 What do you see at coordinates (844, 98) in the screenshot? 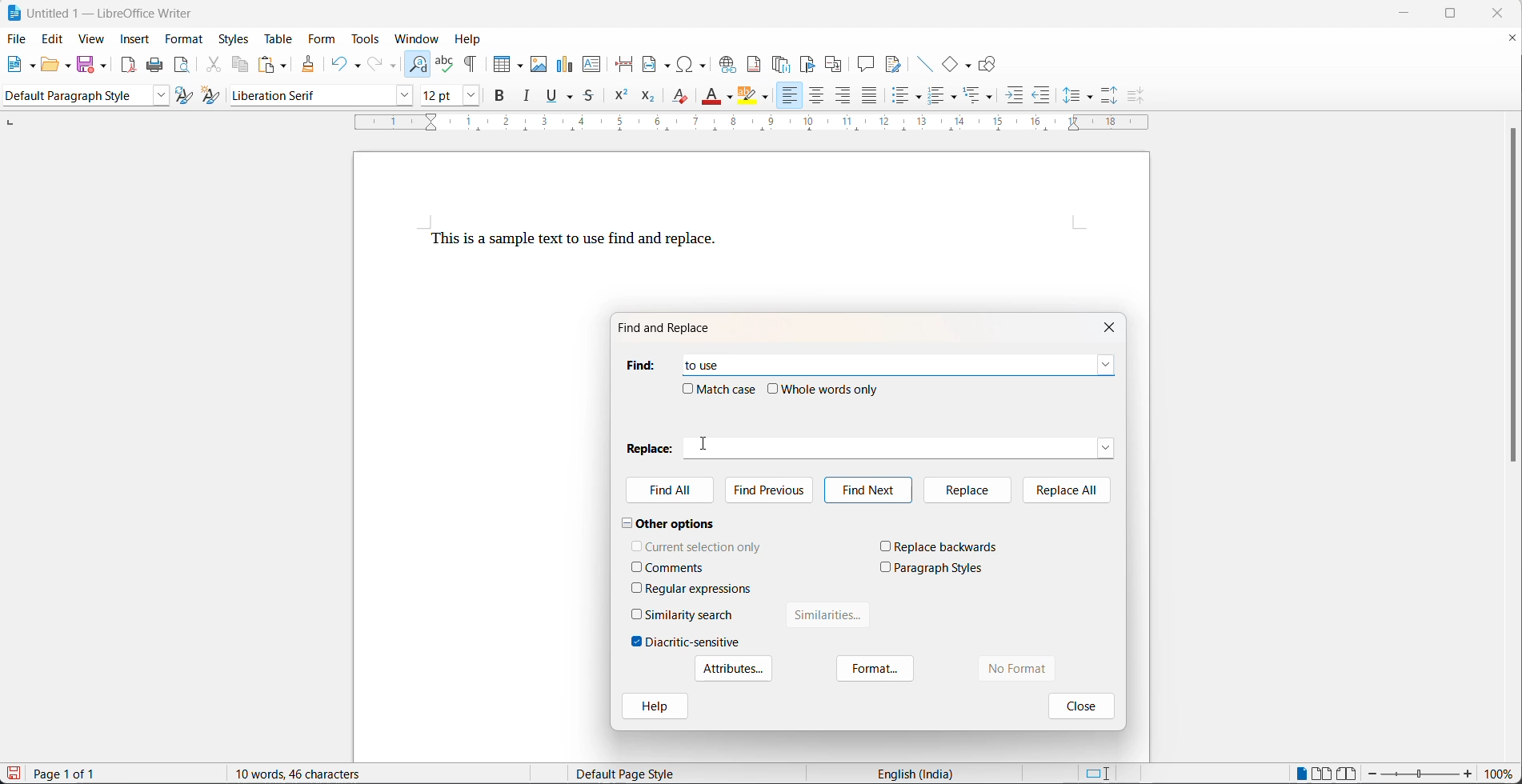
I see `text align left` at bounding box center [844, 98].